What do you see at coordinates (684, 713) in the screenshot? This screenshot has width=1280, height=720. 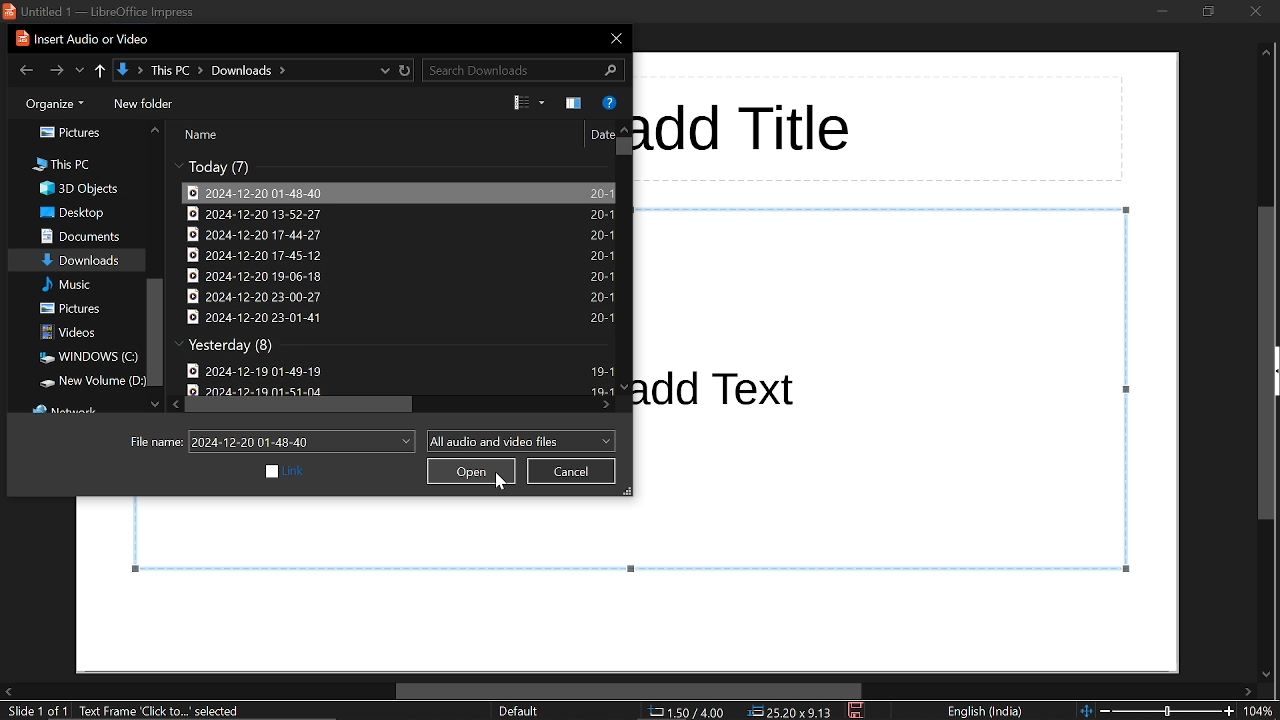 I see `co-ordinate` at bounding box center [684, 713].